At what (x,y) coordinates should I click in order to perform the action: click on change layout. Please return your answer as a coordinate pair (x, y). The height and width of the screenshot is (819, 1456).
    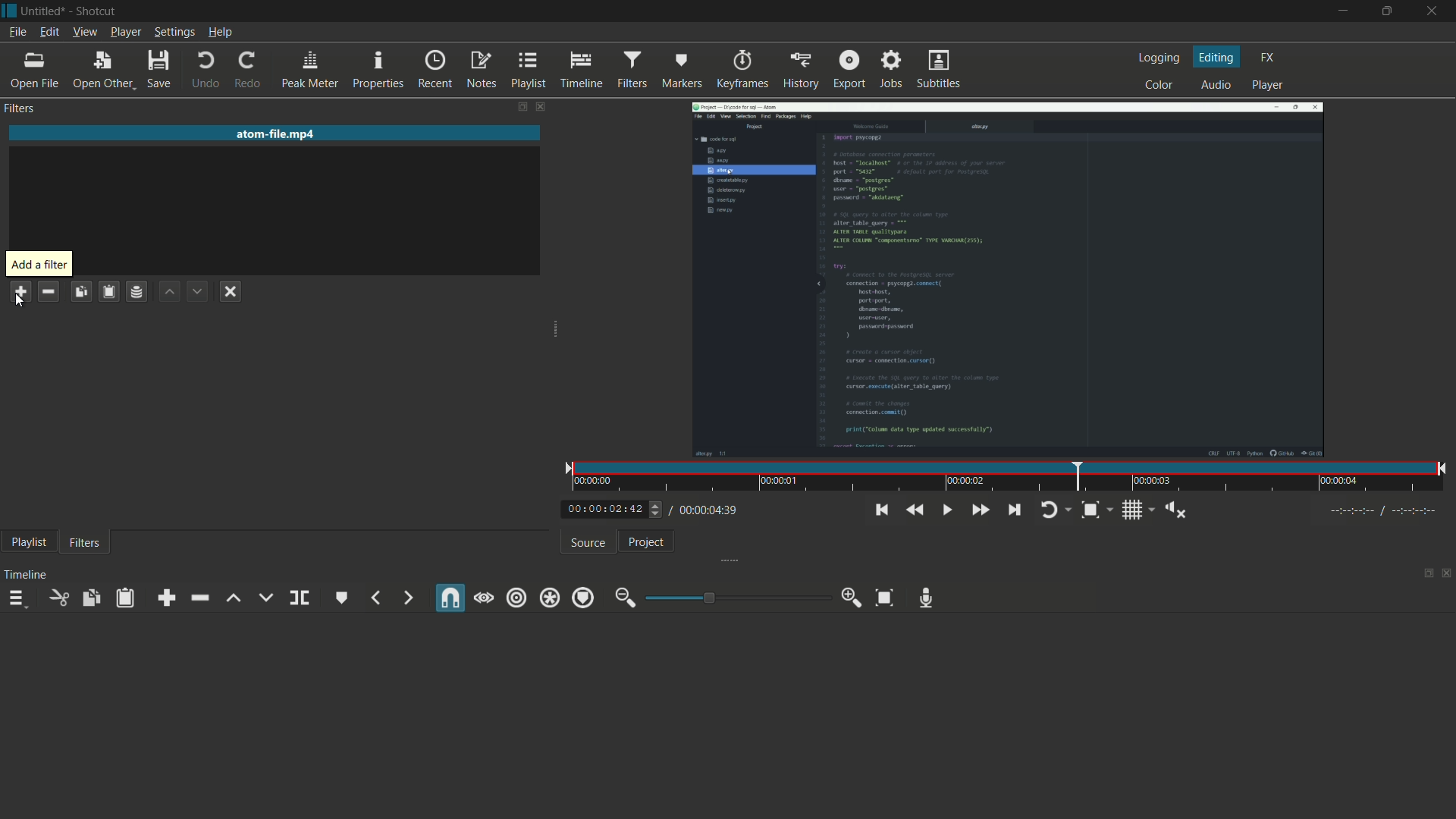
    Looking at the image, I should click on (517, 106).